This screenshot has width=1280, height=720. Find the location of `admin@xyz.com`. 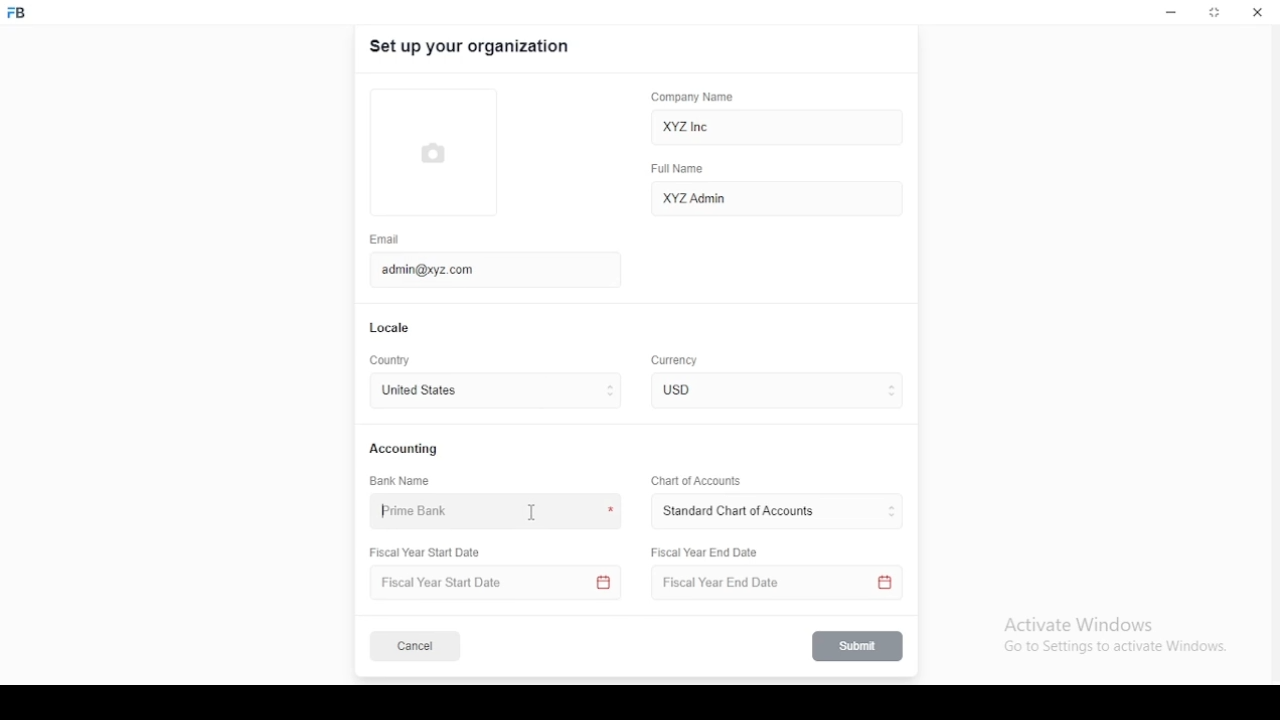

admin@xyz.com is located at coordinates (485, 268).